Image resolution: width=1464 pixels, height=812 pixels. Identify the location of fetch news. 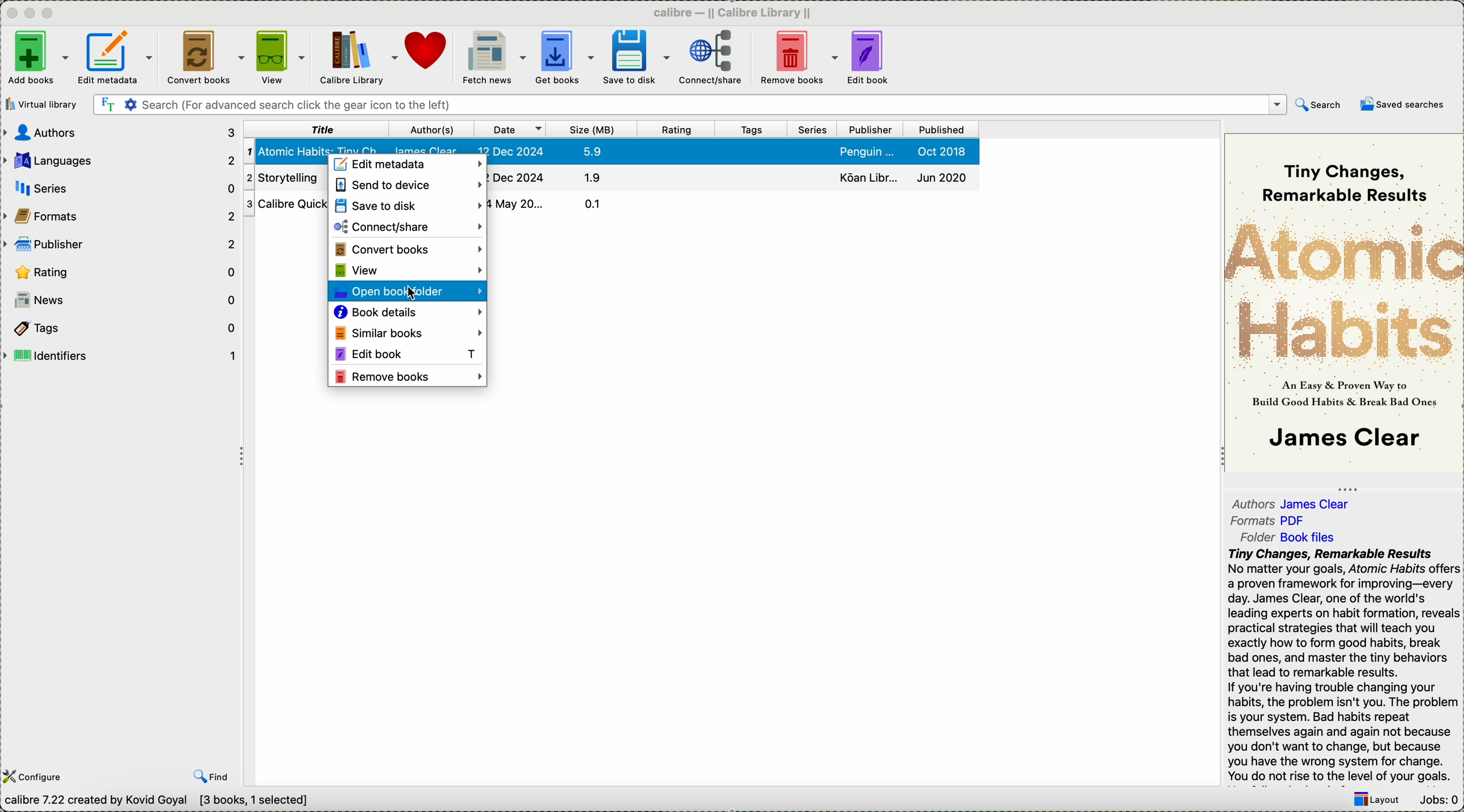
(492, 58).